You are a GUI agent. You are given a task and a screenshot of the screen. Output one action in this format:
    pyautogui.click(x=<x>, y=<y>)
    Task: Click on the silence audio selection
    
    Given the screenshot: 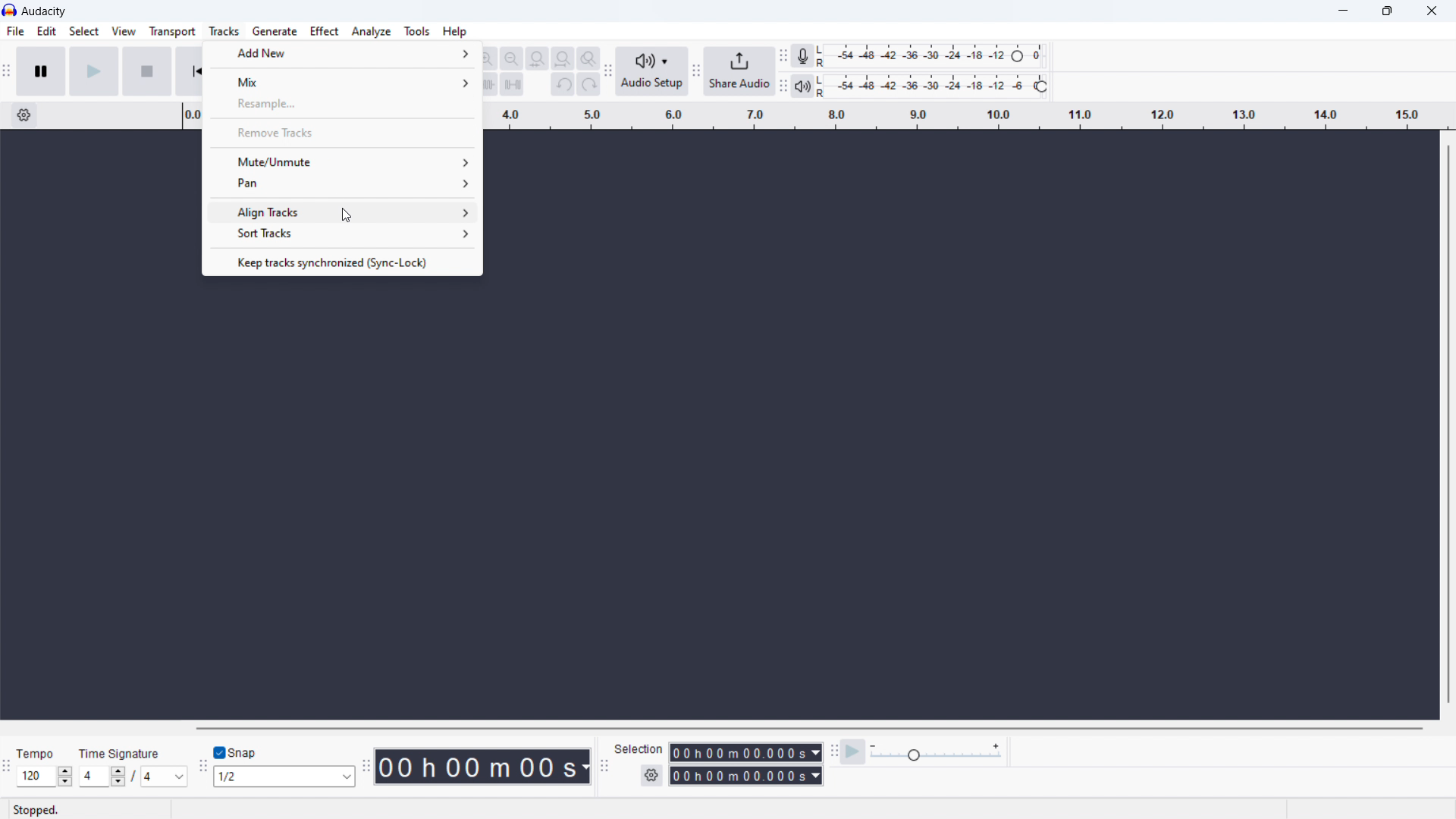 What is the action you would take?
    pyautogui.click(x=512, y=85)
    